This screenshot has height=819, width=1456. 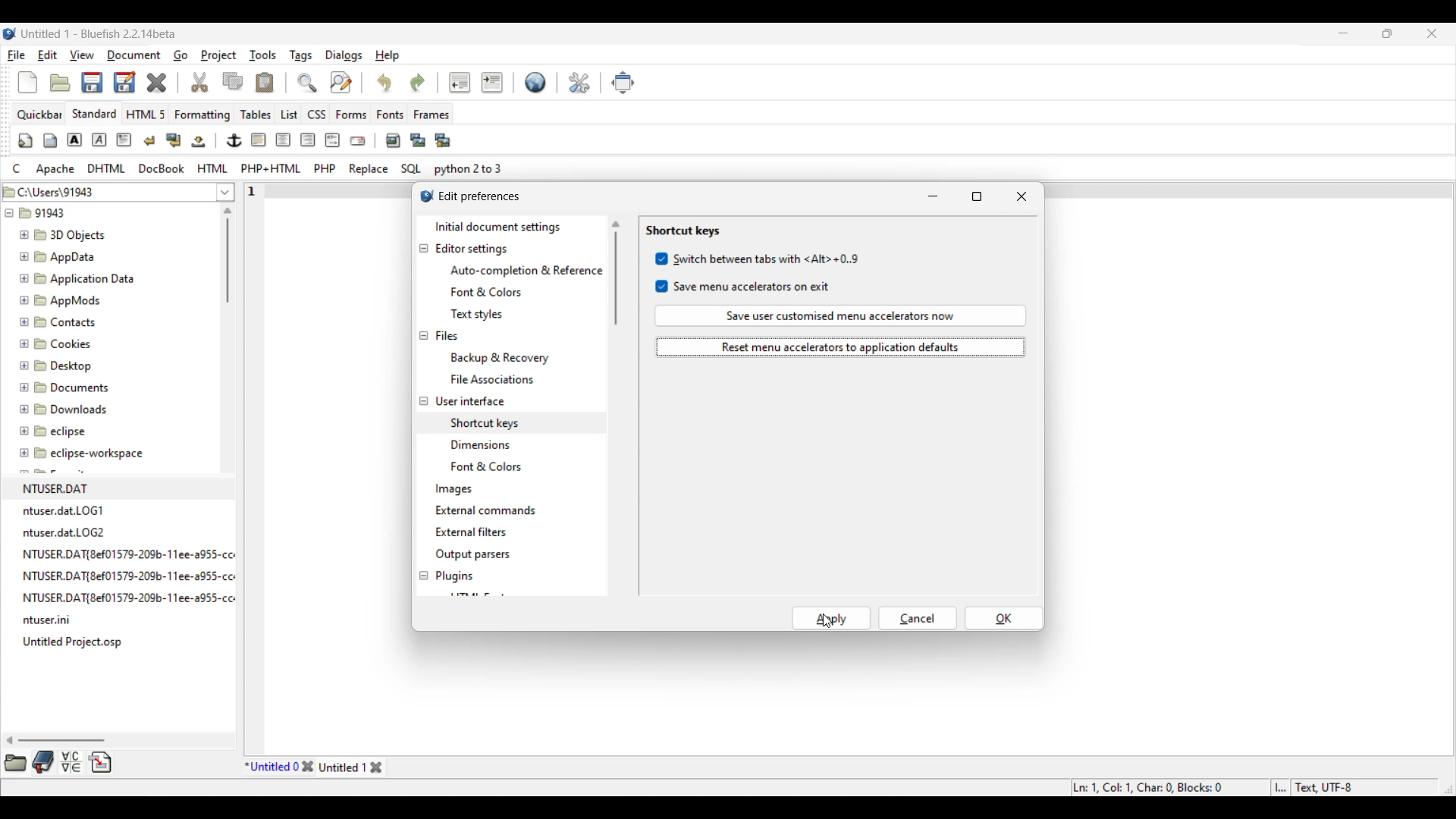 I want to click on eclipse-workspace, so click(x=83, y=457).